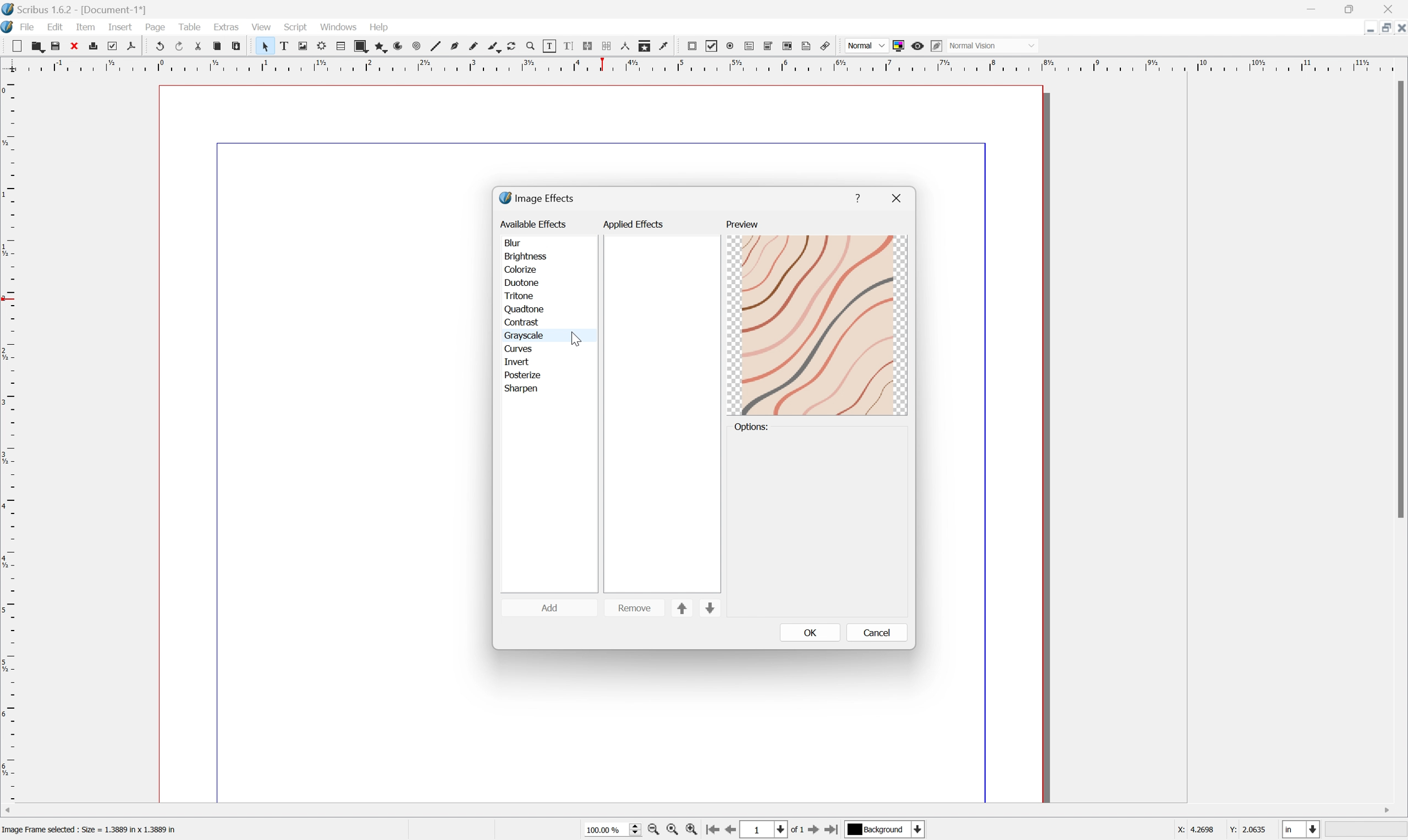 Image resolution: width=1408 pixels, height=840 pixels. What do you see at coordinates (298, 25) in the screenshot?
I see `Script` at bounding box center [298, 25].